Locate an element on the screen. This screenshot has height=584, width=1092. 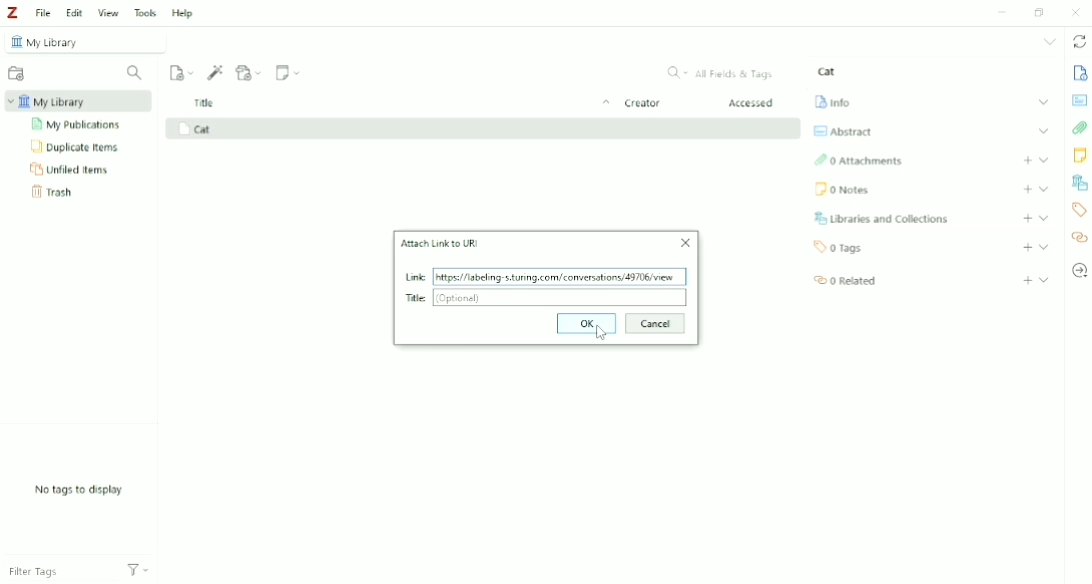
Libraries and Collections is located at coordinates (880, 218).